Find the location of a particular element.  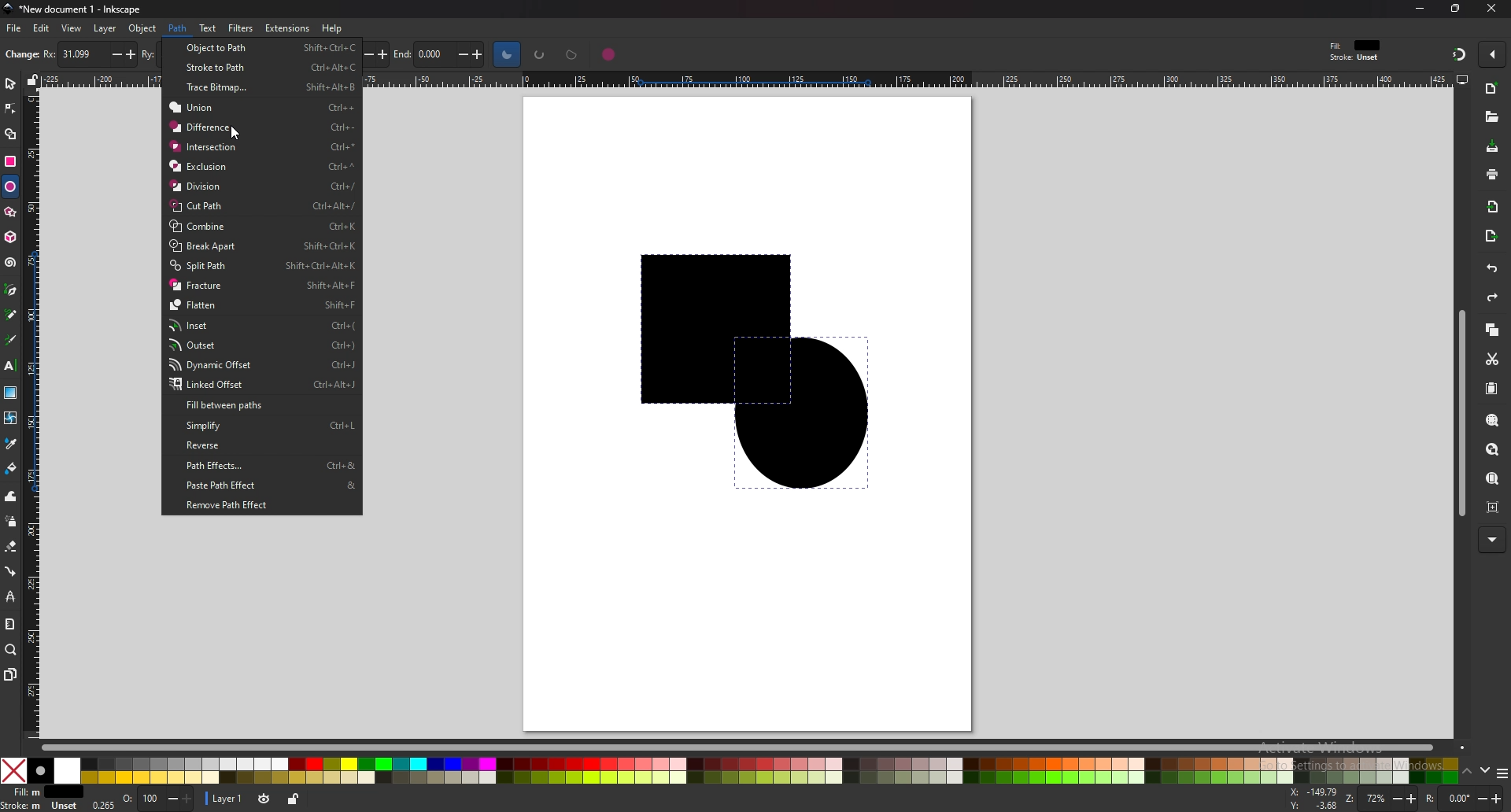

filters is located at coordinates (241, 28).